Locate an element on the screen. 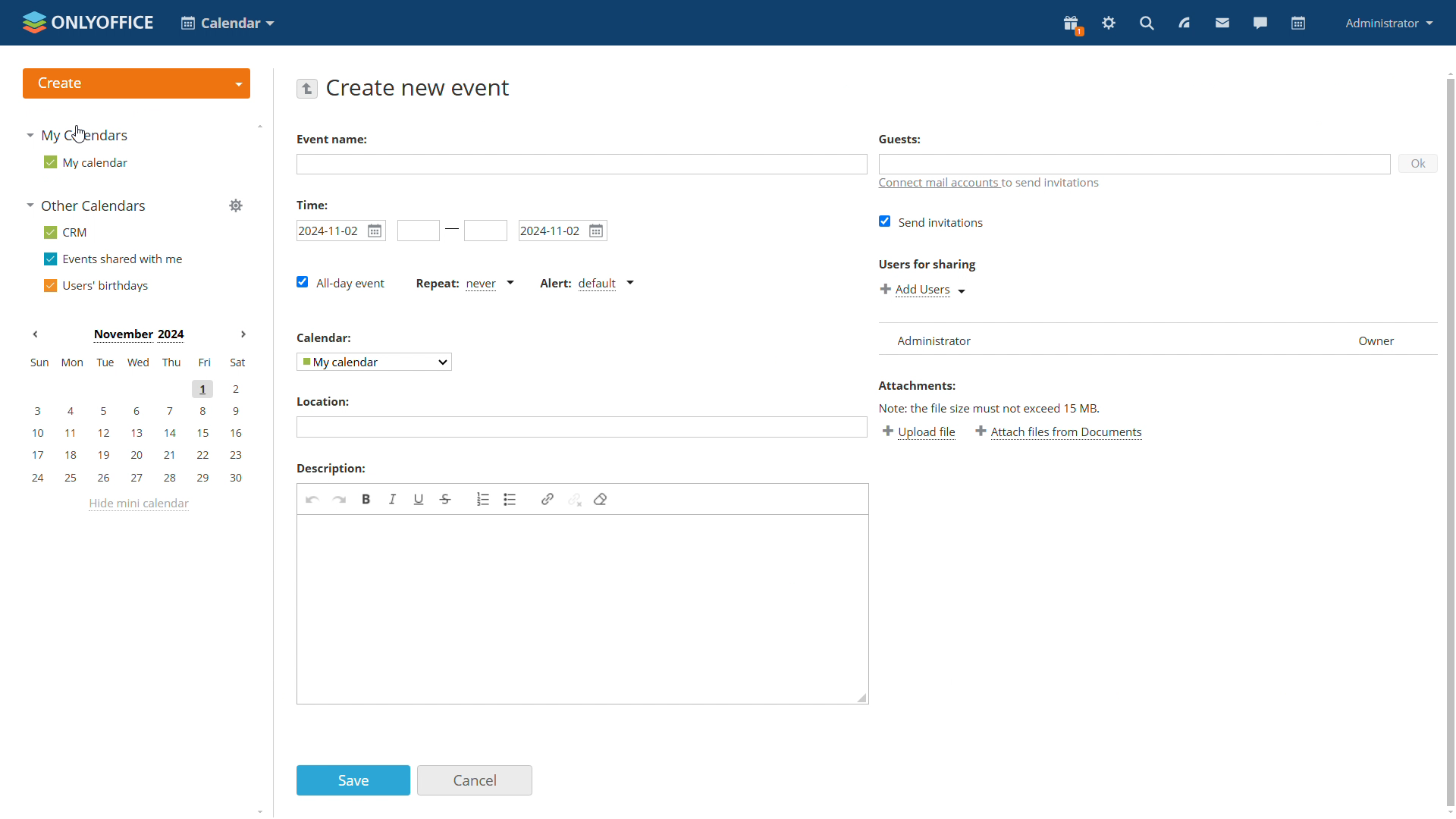 The width and height of the screenshot is (1456, 819). scroll -up is located at coordinates (1447, 71).